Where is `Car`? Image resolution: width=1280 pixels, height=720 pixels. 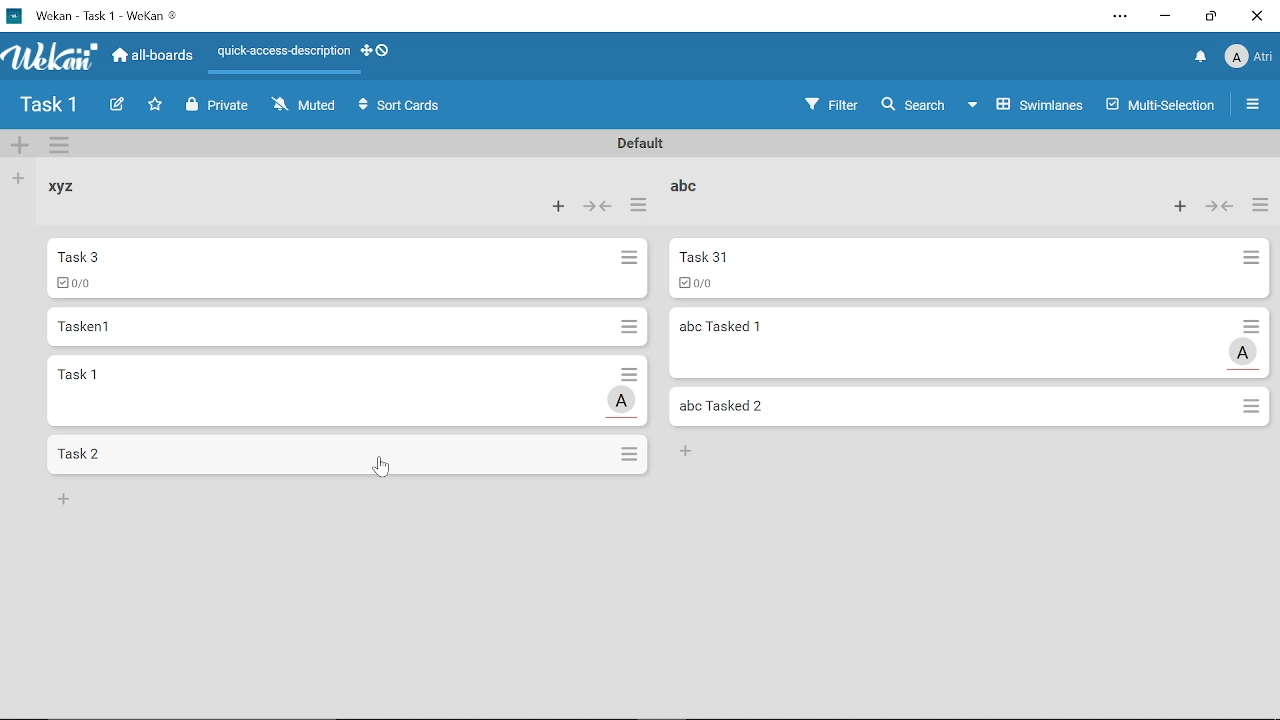
Car is located at coordinates (332, 267).